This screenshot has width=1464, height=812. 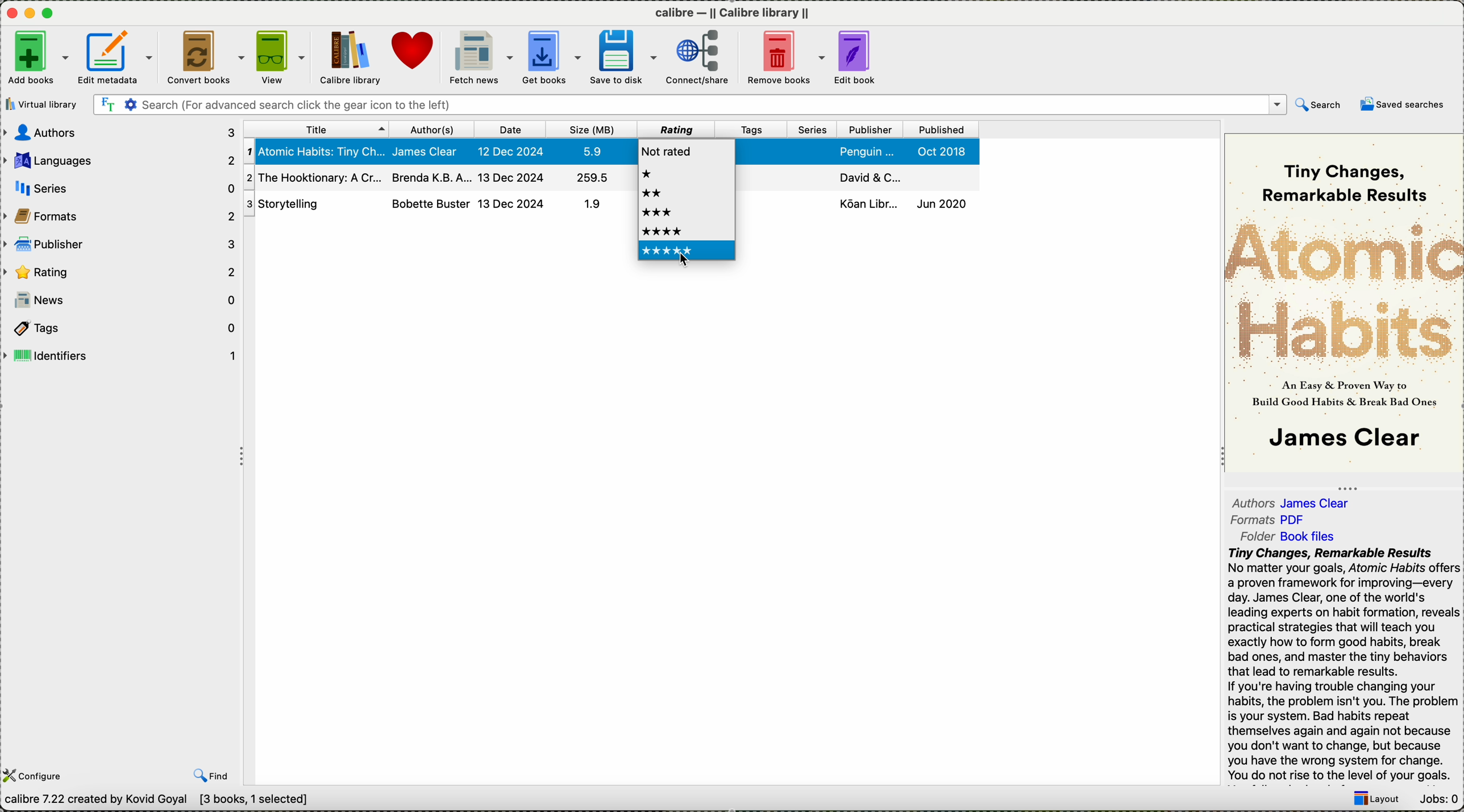 I want to click on oct 2018, so click(x=945, y=151).